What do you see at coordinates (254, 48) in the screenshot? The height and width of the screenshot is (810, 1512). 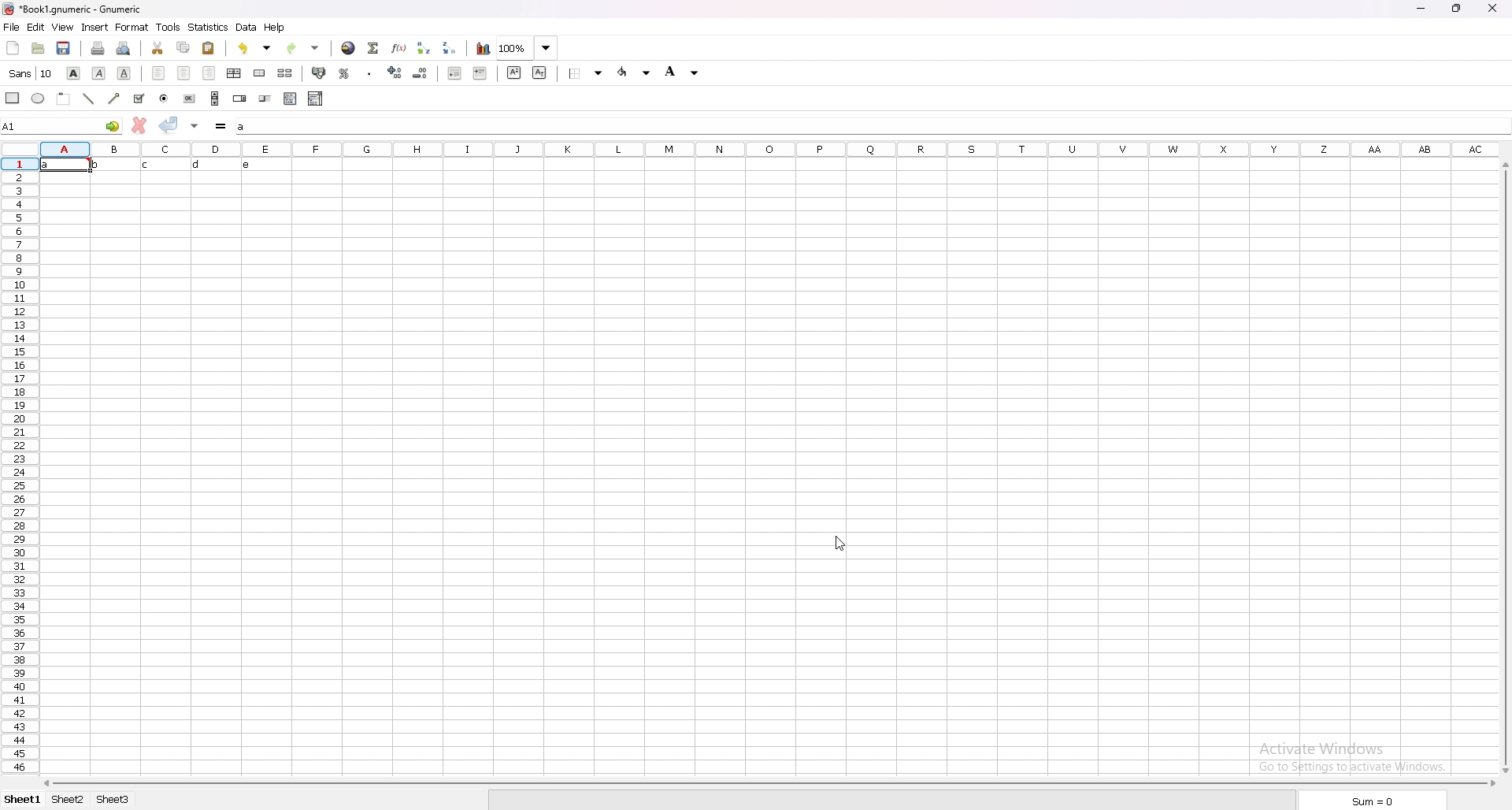 I see `undo` at bounding box center [254, 48].